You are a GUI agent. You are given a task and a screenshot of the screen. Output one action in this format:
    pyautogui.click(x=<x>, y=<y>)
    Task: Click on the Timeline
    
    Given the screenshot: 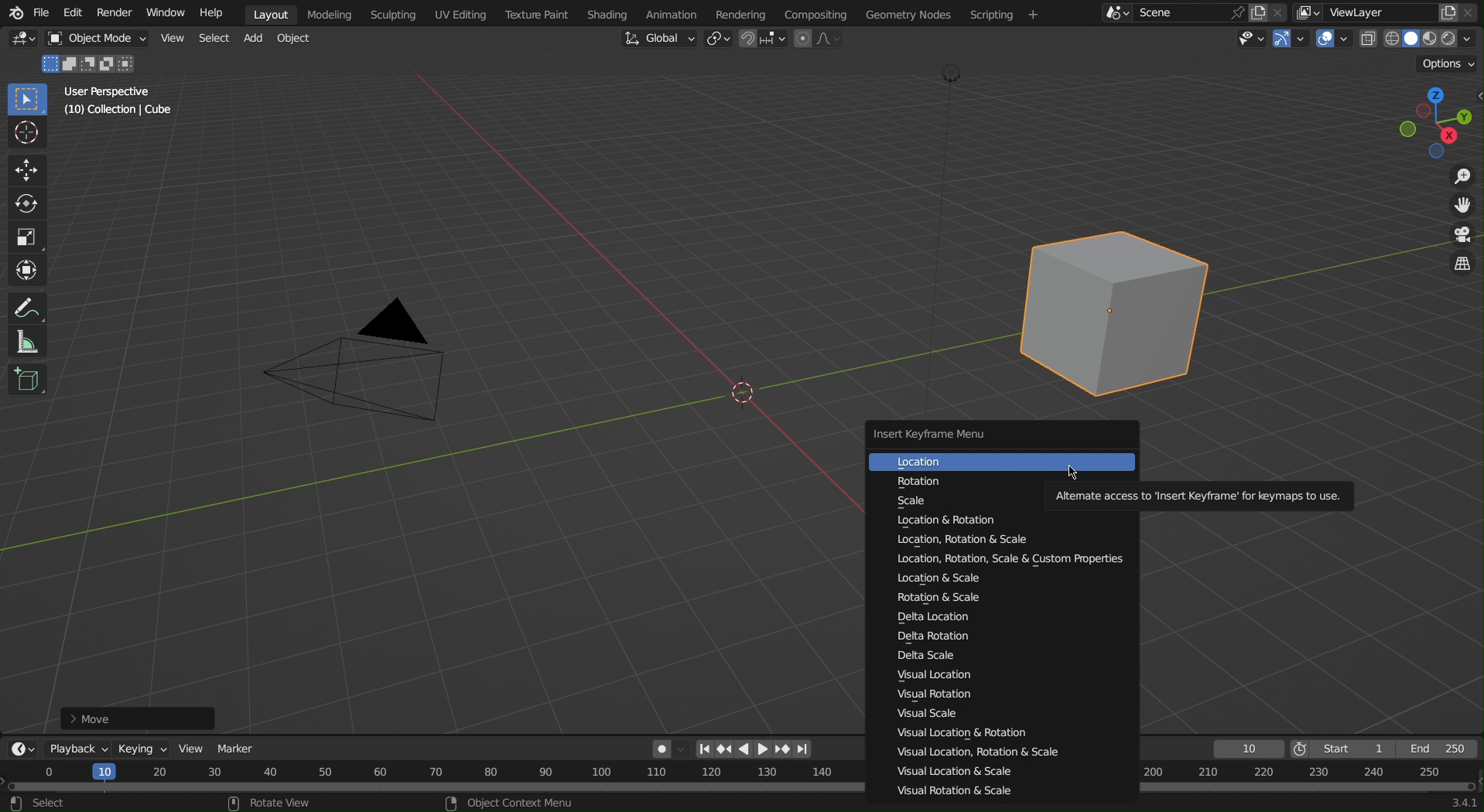 What is the action you would take?
    pyautogui.click(x=430, y=787)
    